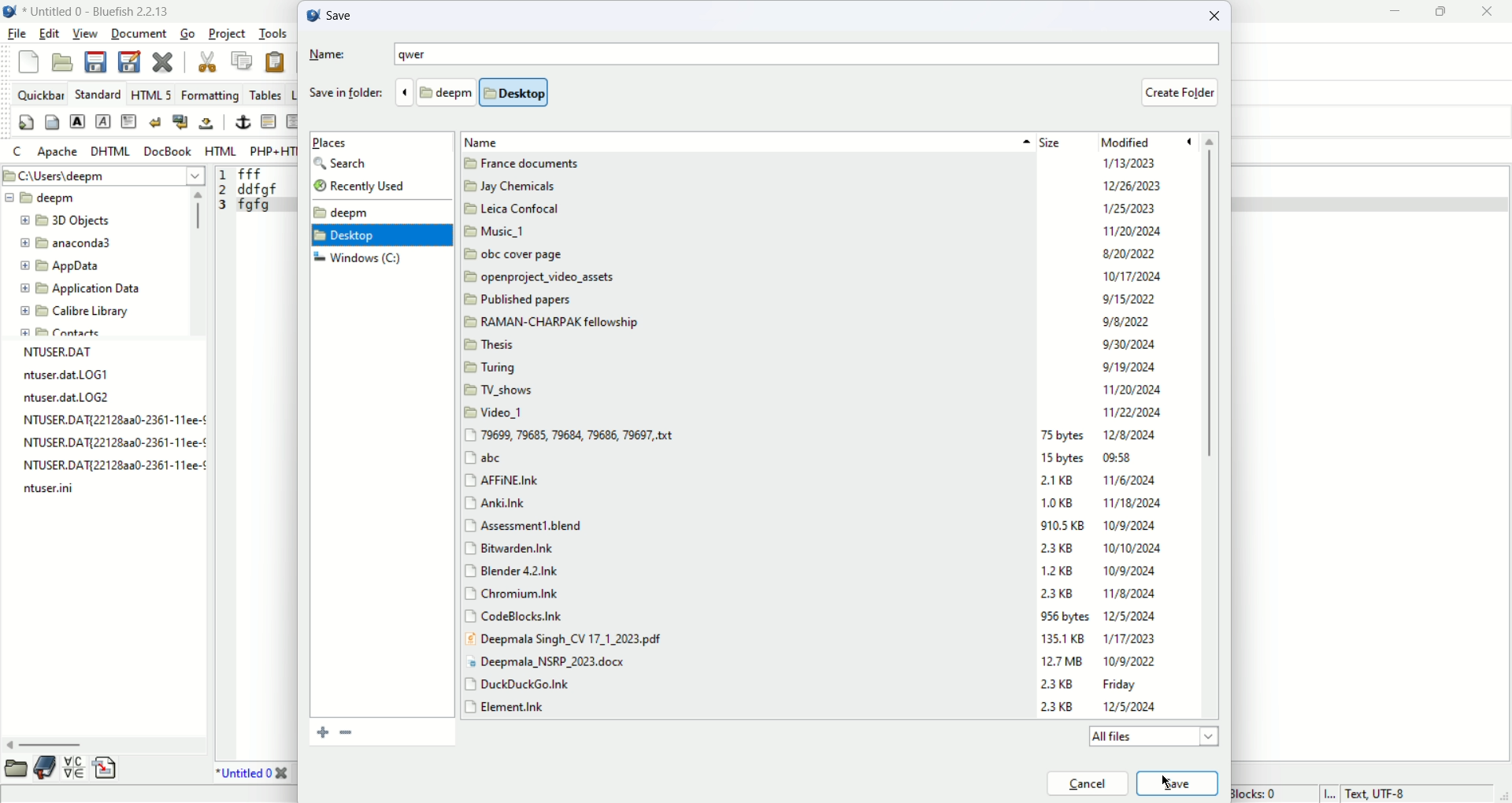 The height and width of the screenshot is (803, 1512). What do you see at coordinates (54, 352) in the screenshot?
I see `file name` at bounding box center [54, 352].